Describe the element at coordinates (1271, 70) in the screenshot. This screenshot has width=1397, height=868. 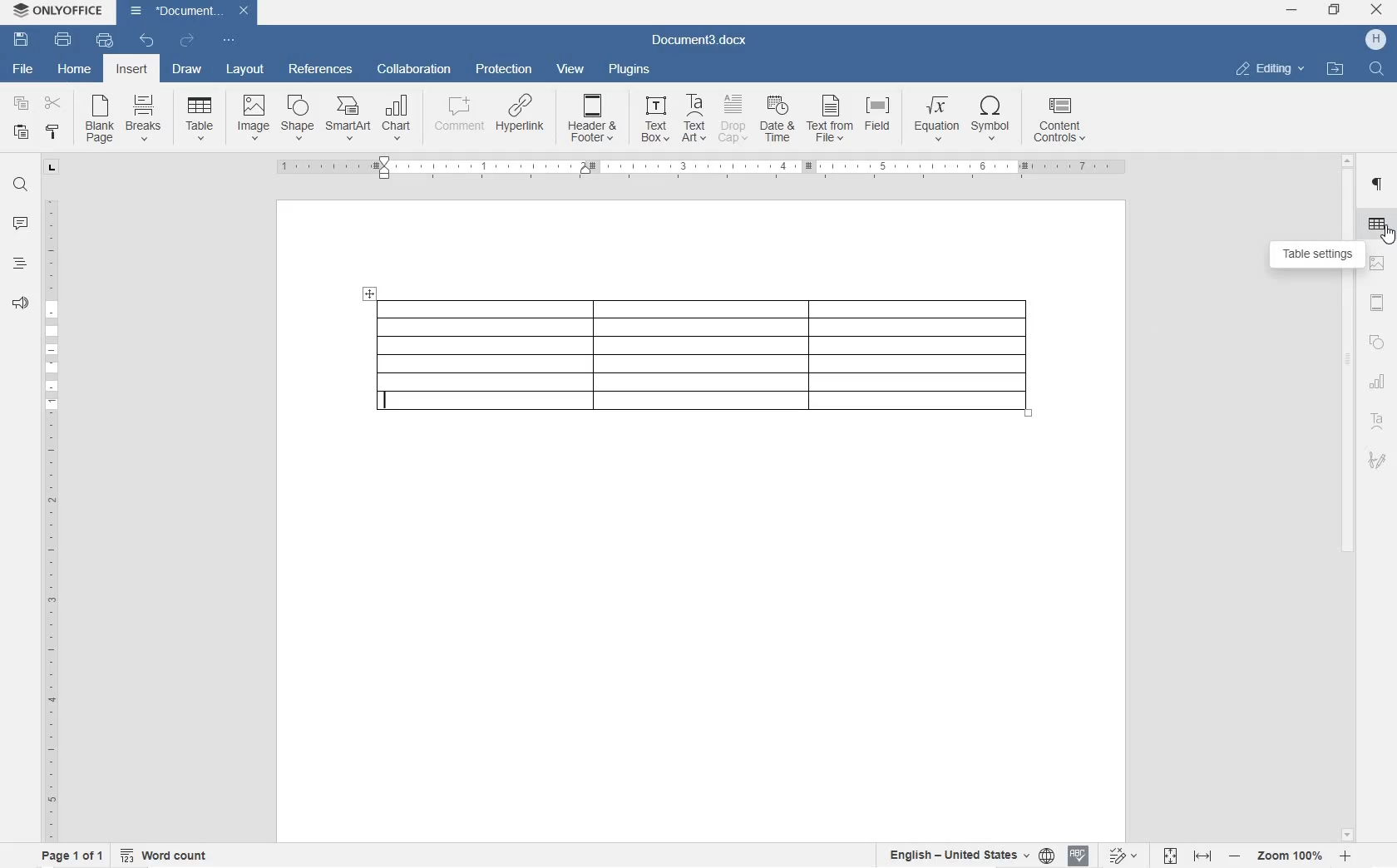
I see `EDITING` at that location.